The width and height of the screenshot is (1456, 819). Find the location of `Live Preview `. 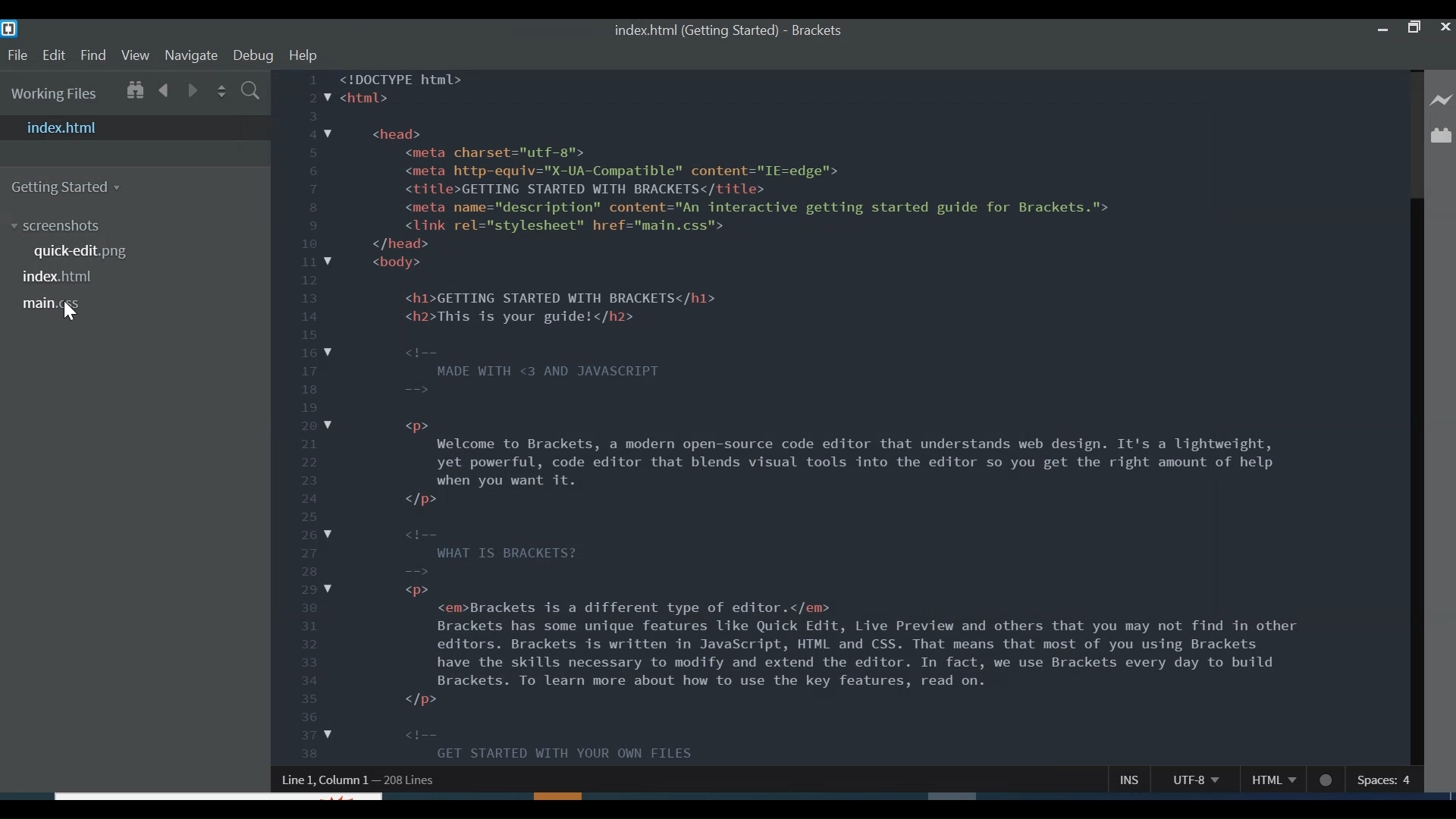

Live Preview  is located at coordinates (1439, 102).